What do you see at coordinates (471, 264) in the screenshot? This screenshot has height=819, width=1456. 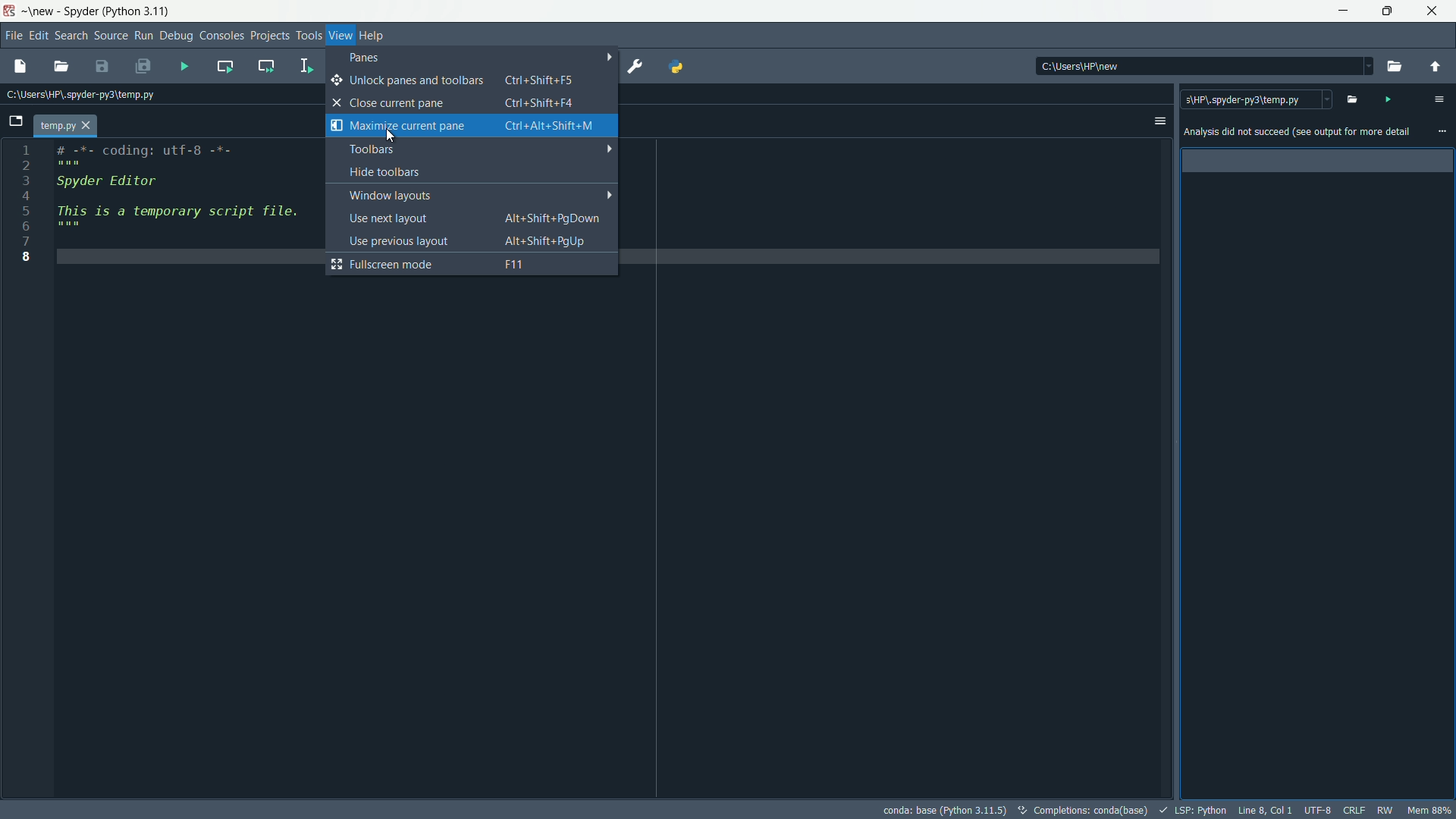 I see `fullscreen mode` at bounding box center [471, 264].